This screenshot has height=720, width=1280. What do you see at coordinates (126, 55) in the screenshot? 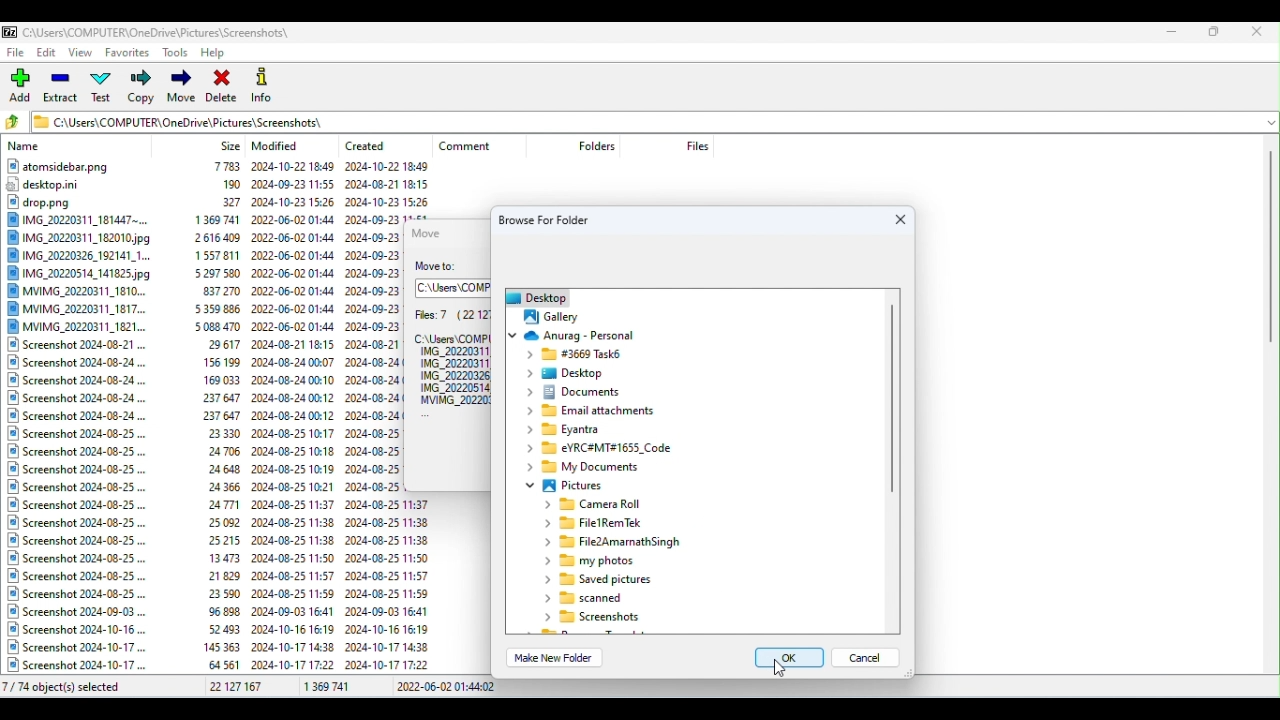
I see `Favorites` at bounding box center [126, 55].